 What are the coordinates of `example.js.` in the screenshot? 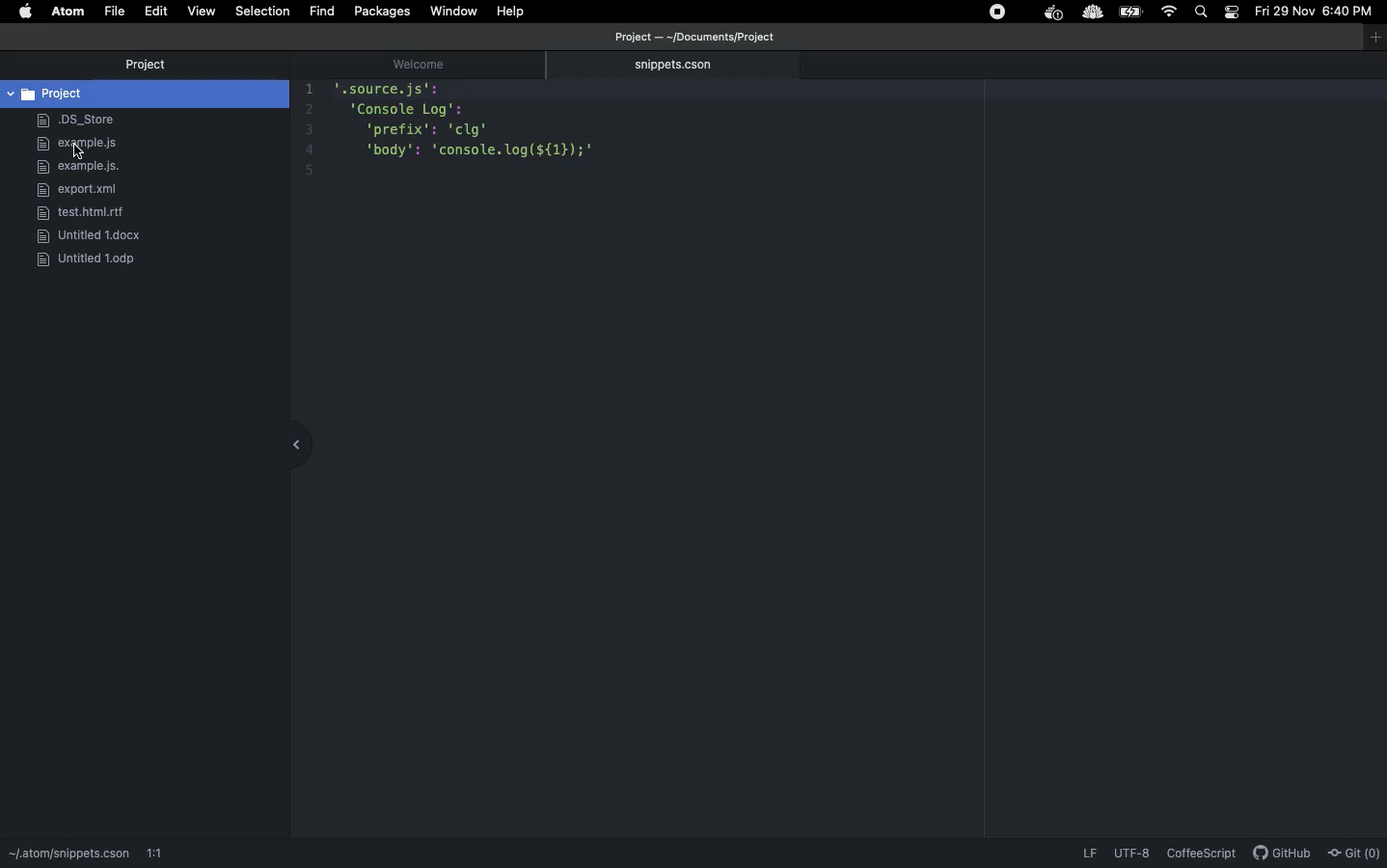 It's located at (81, 167).